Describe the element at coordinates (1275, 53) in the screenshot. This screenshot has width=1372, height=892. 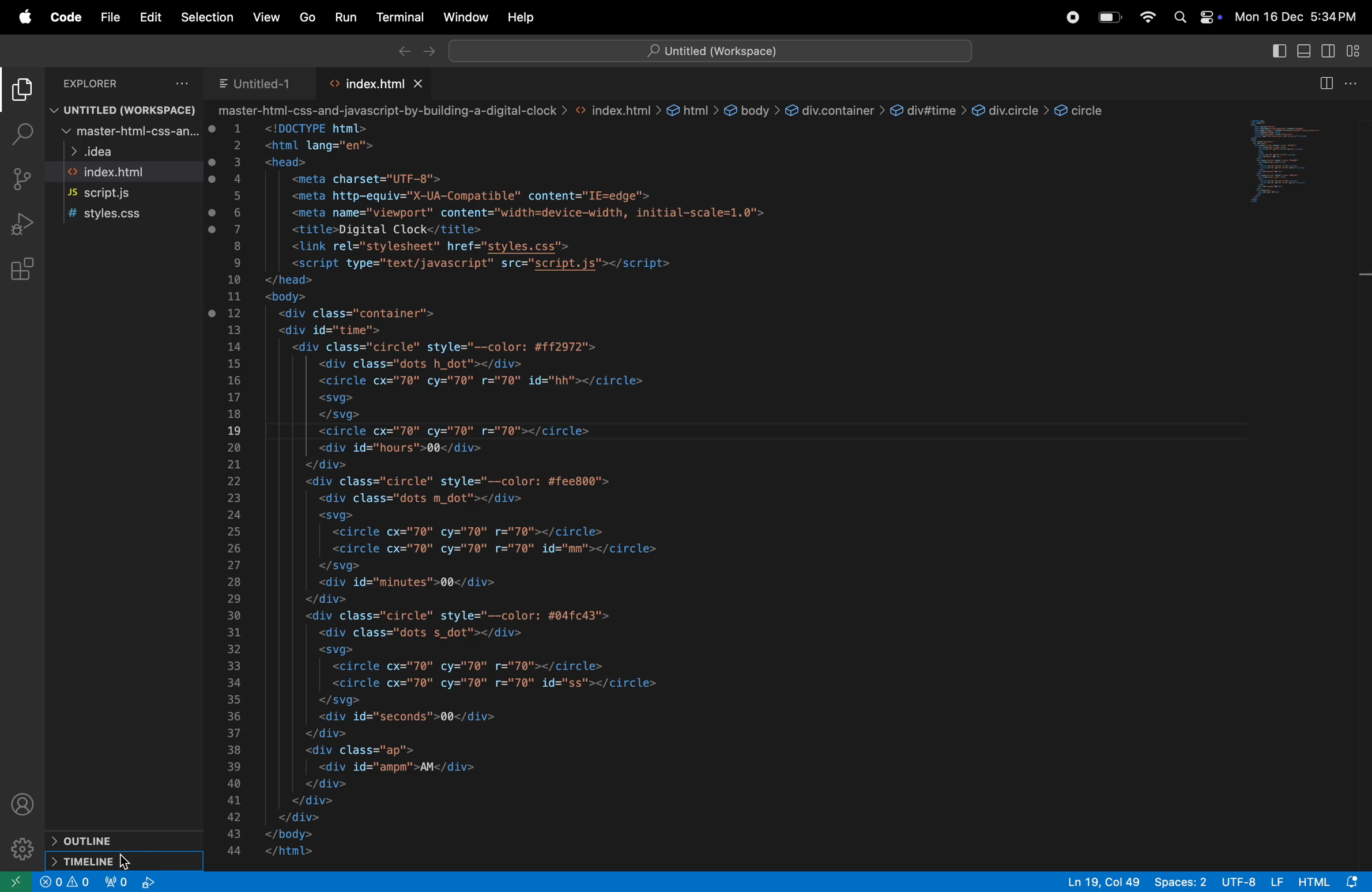
I see `split editor` at that location.